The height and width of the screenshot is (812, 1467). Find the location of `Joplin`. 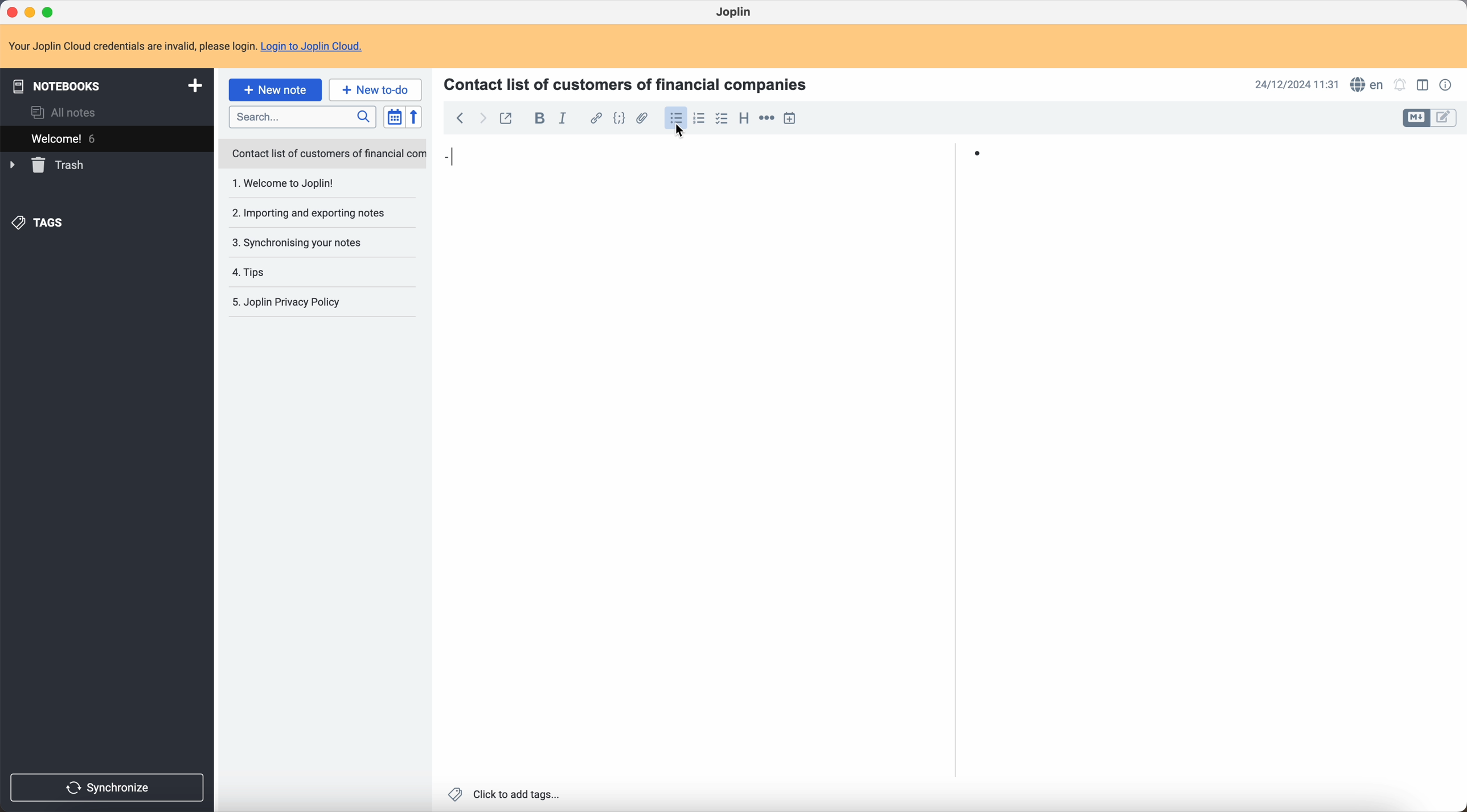

Joplin is located at coordinates (733, 11).